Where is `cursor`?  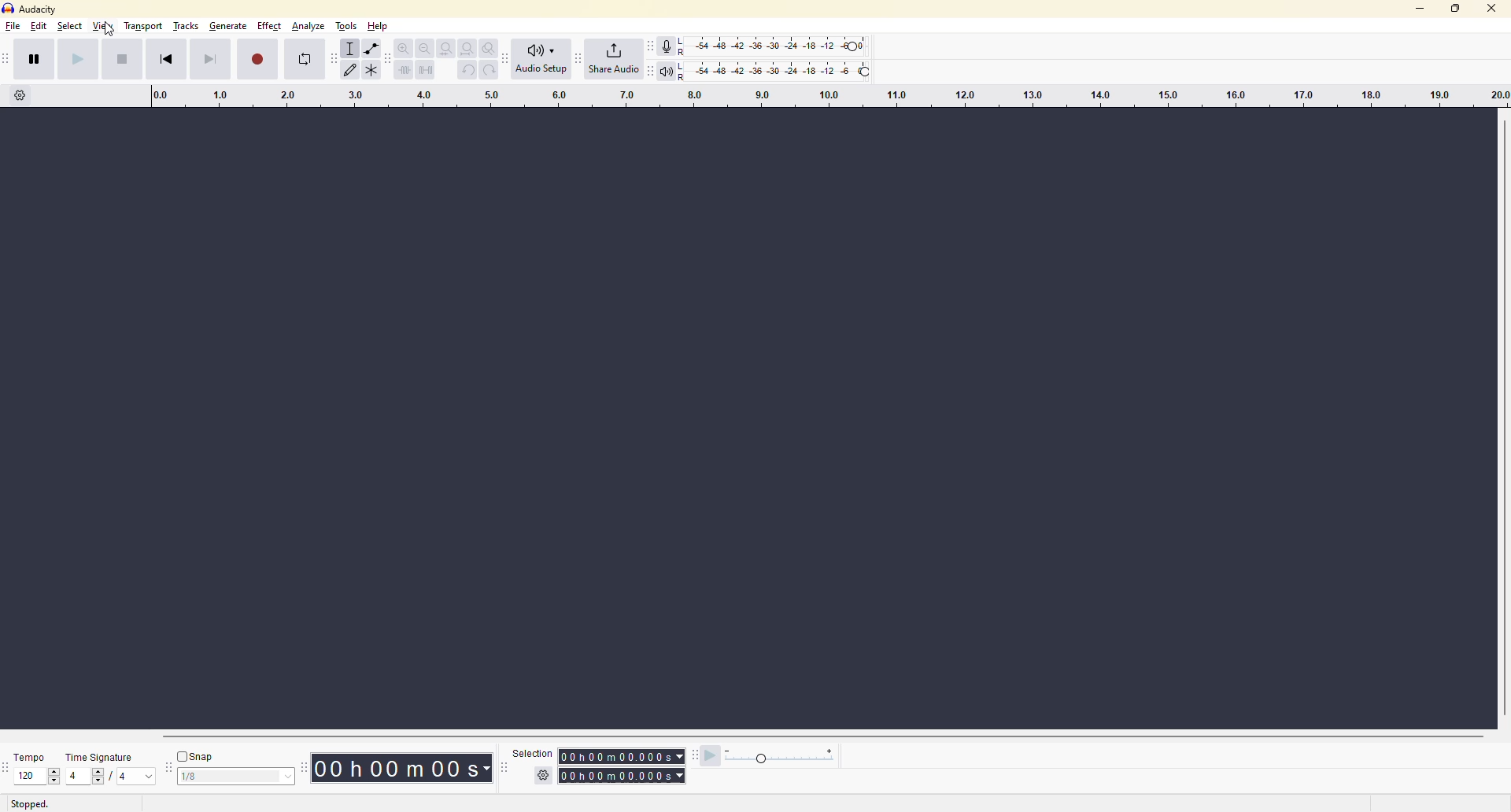
cursor is located at coordinates (109, 31).